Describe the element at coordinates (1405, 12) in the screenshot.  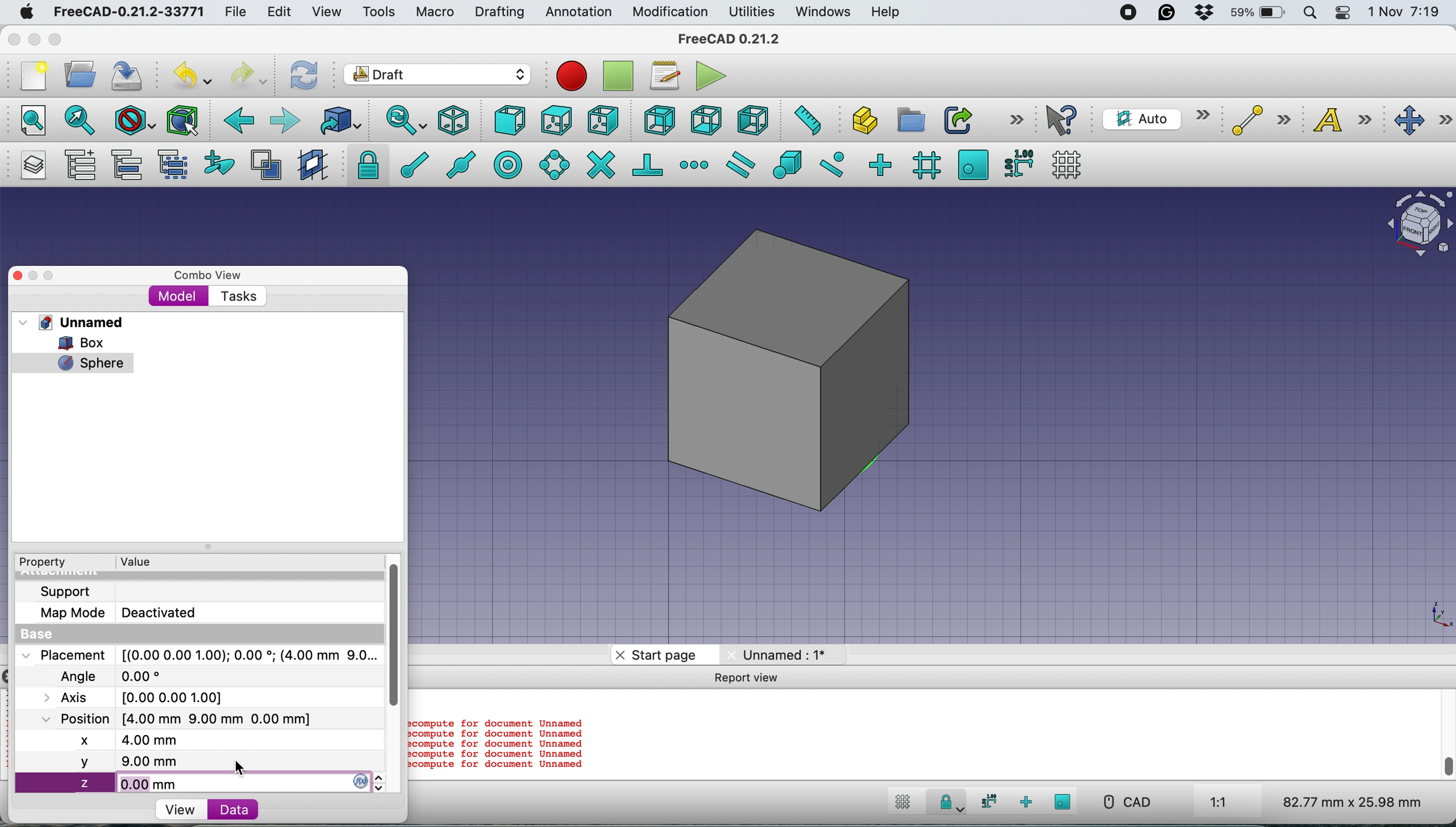
I see `date and time` at that location.